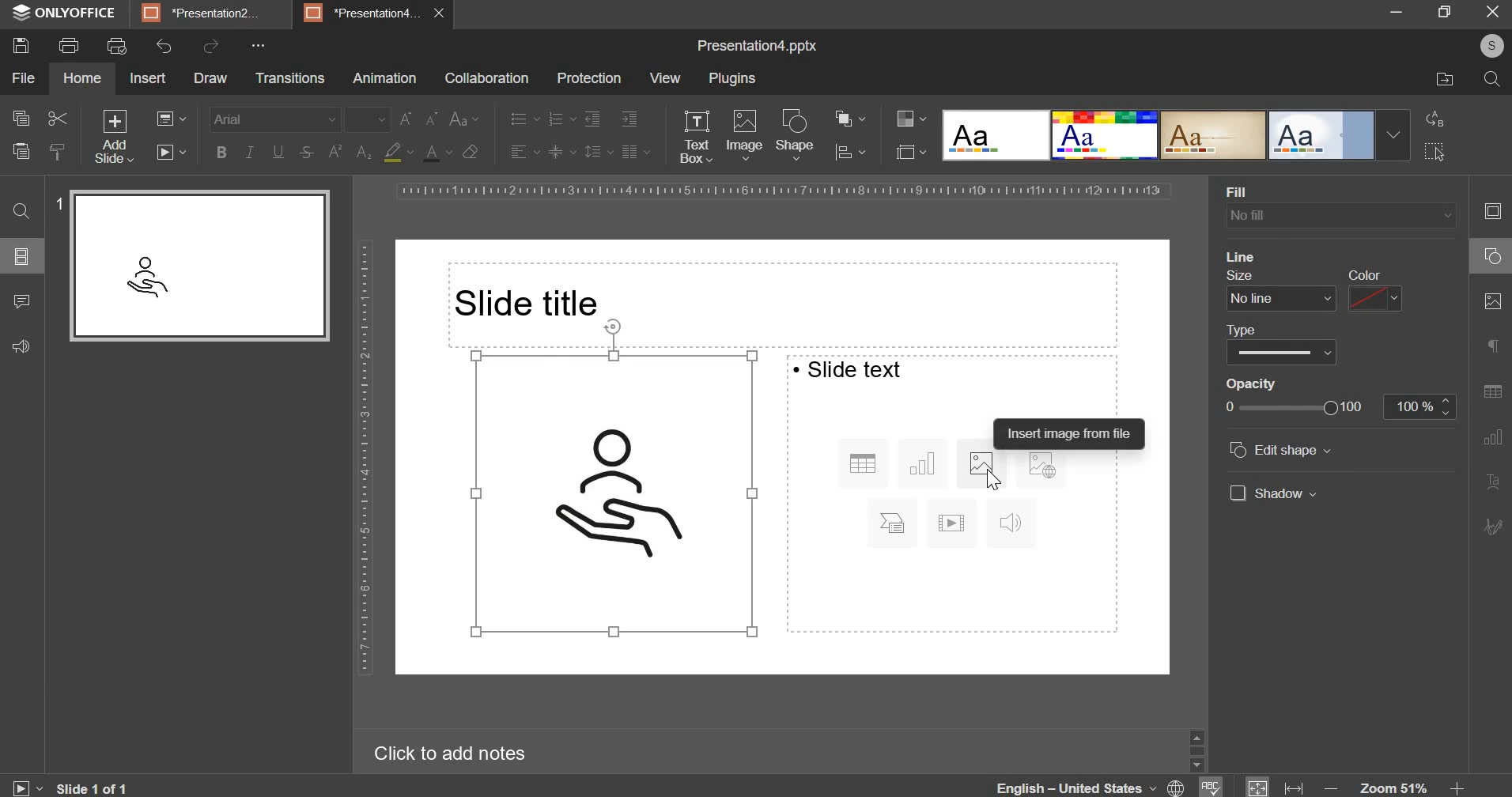 Image resolution: width=1512 pixels, height=797 pixels. What do you see at coordinates (202, 13) in the screenshot?
I see `presentation2...` at bounding box center [202, 13].